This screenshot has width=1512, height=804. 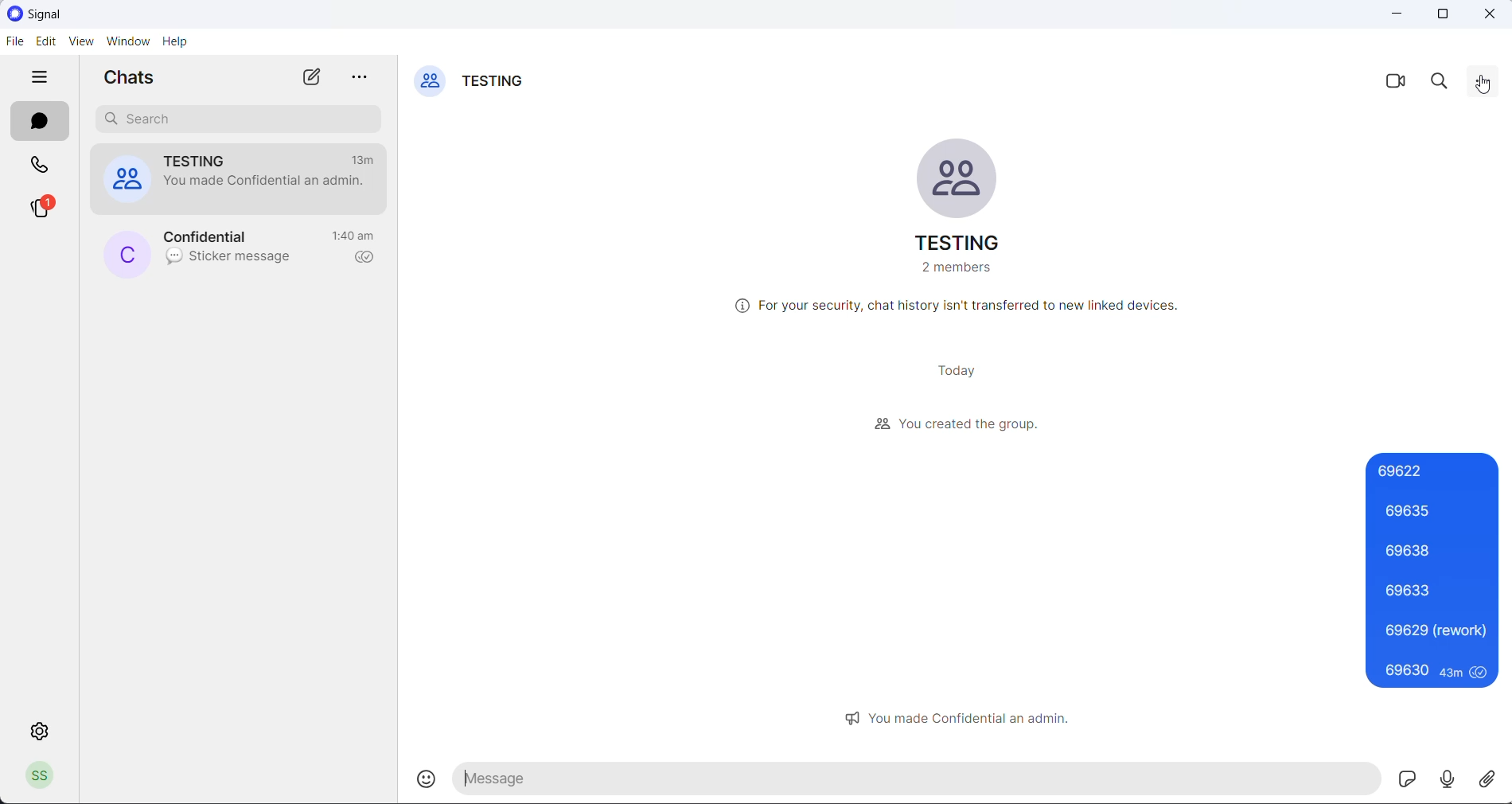 What do you see at coordinates (966, 716) in the screenshot?
I see `admin notification` at bounding box center [966, 716].